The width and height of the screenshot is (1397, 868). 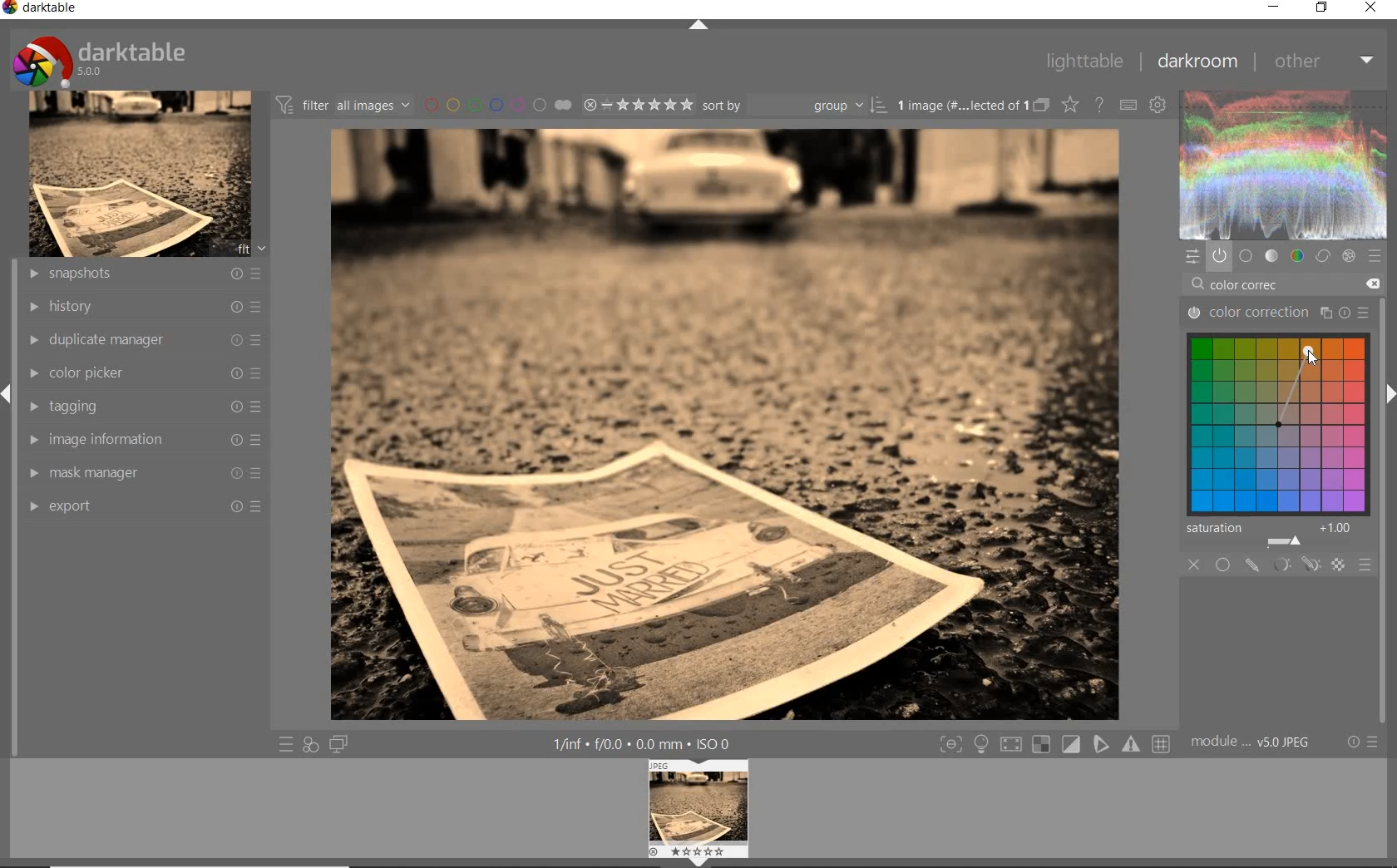 What do you see at coordinates (1323, 256) in the screenshot?
I see `correct` at bounding box center [1323, 256].